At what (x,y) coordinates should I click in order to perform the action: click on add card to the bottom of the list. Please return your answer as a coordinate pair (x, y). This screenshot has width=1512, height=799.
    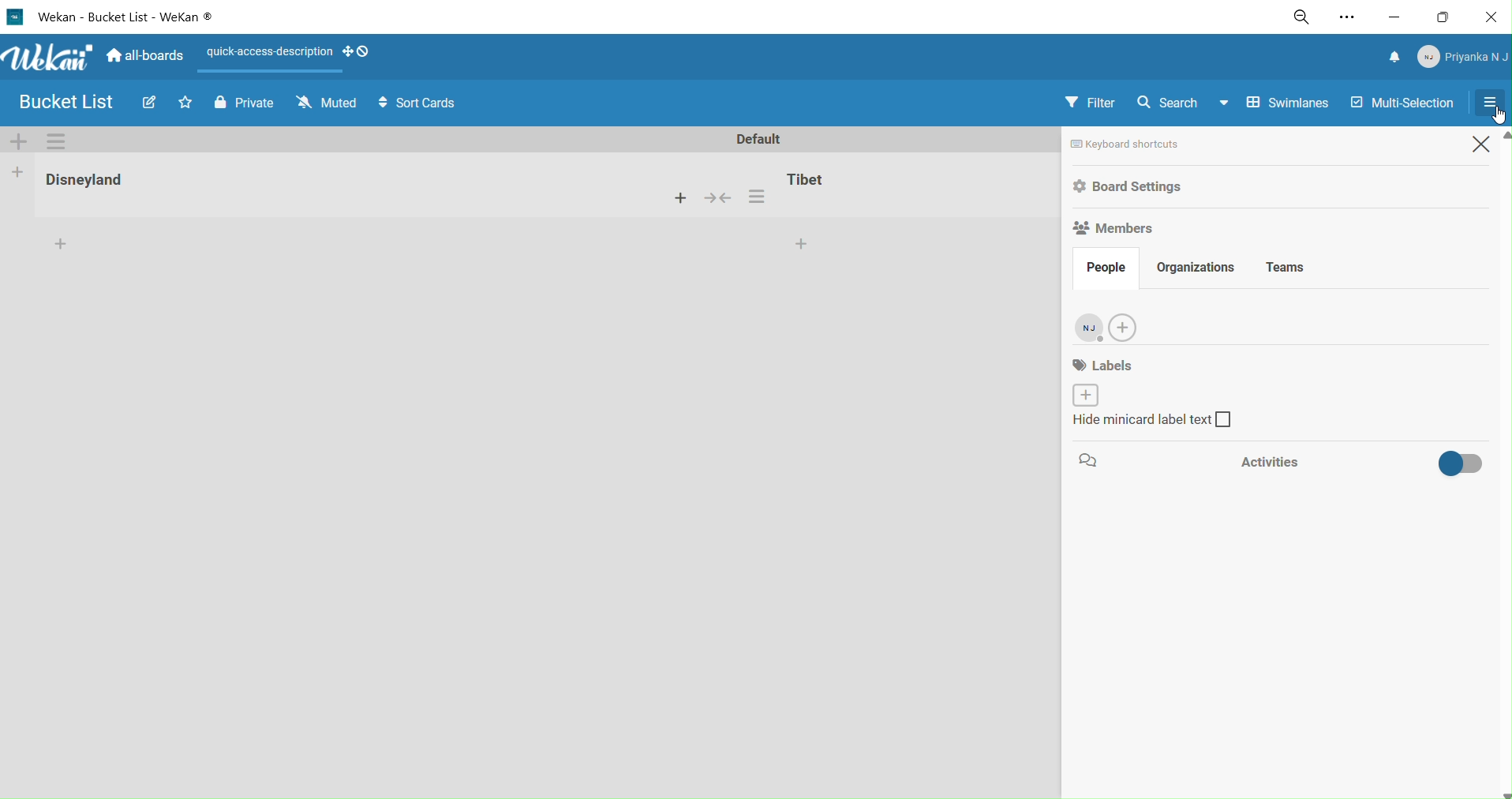
    Looking at the image, I should click on (62, 243).